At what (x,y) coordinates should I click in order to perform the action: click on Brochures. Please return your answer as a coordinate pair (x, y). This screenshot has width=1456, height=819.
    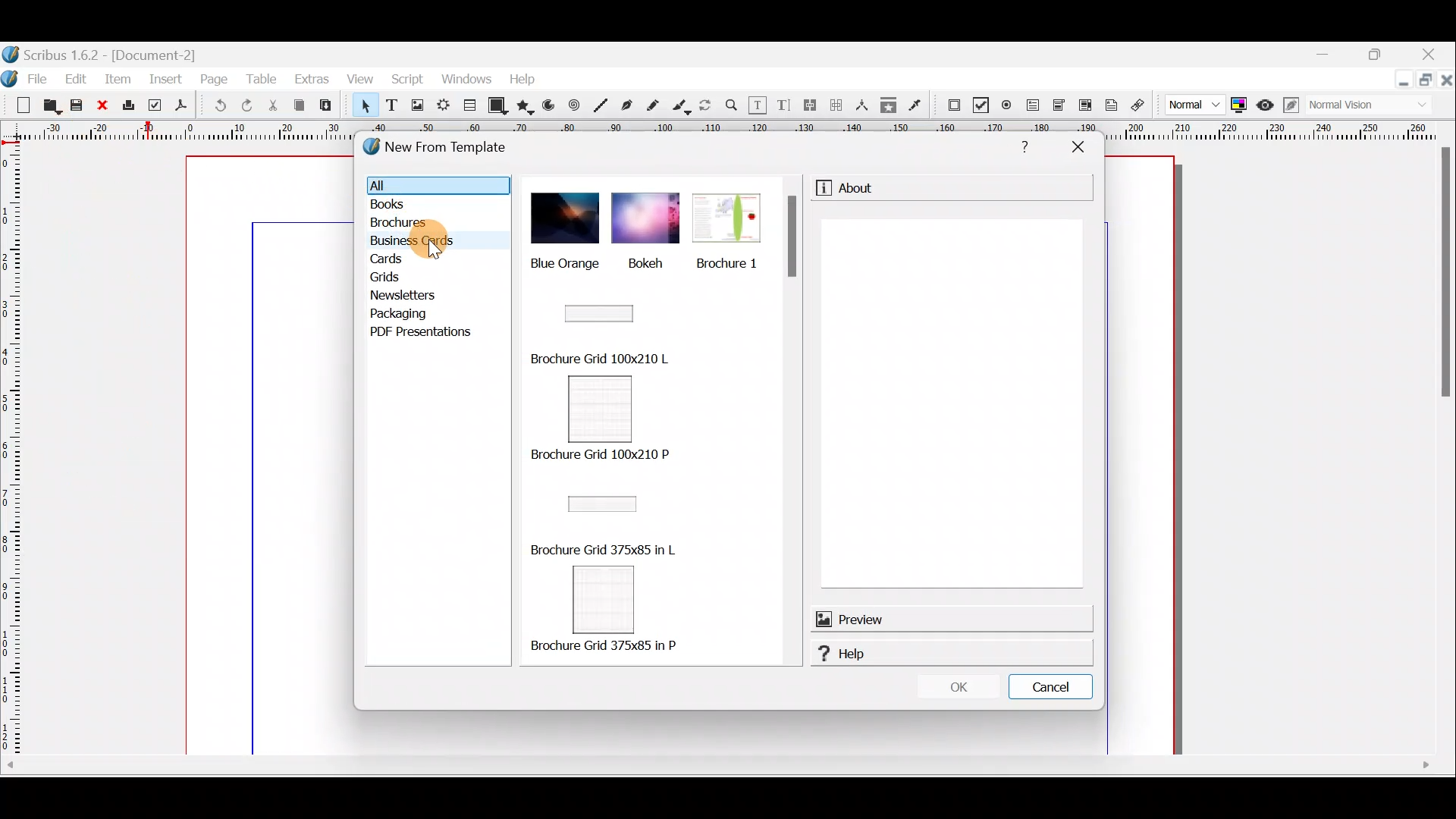
    Looking at the image, I should click on (430, 227).